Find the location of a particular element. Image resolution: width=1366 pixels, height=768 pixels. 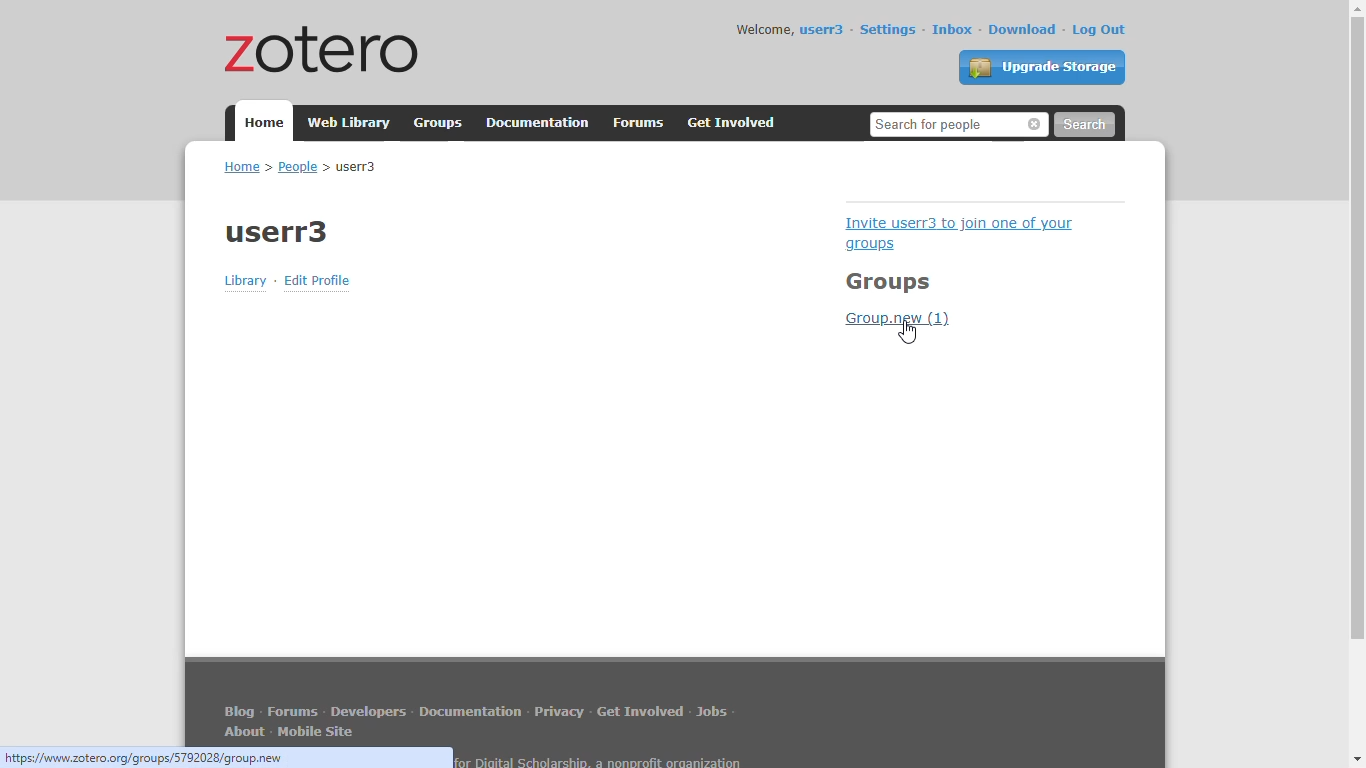

forums is located at coordinates (293, 712).